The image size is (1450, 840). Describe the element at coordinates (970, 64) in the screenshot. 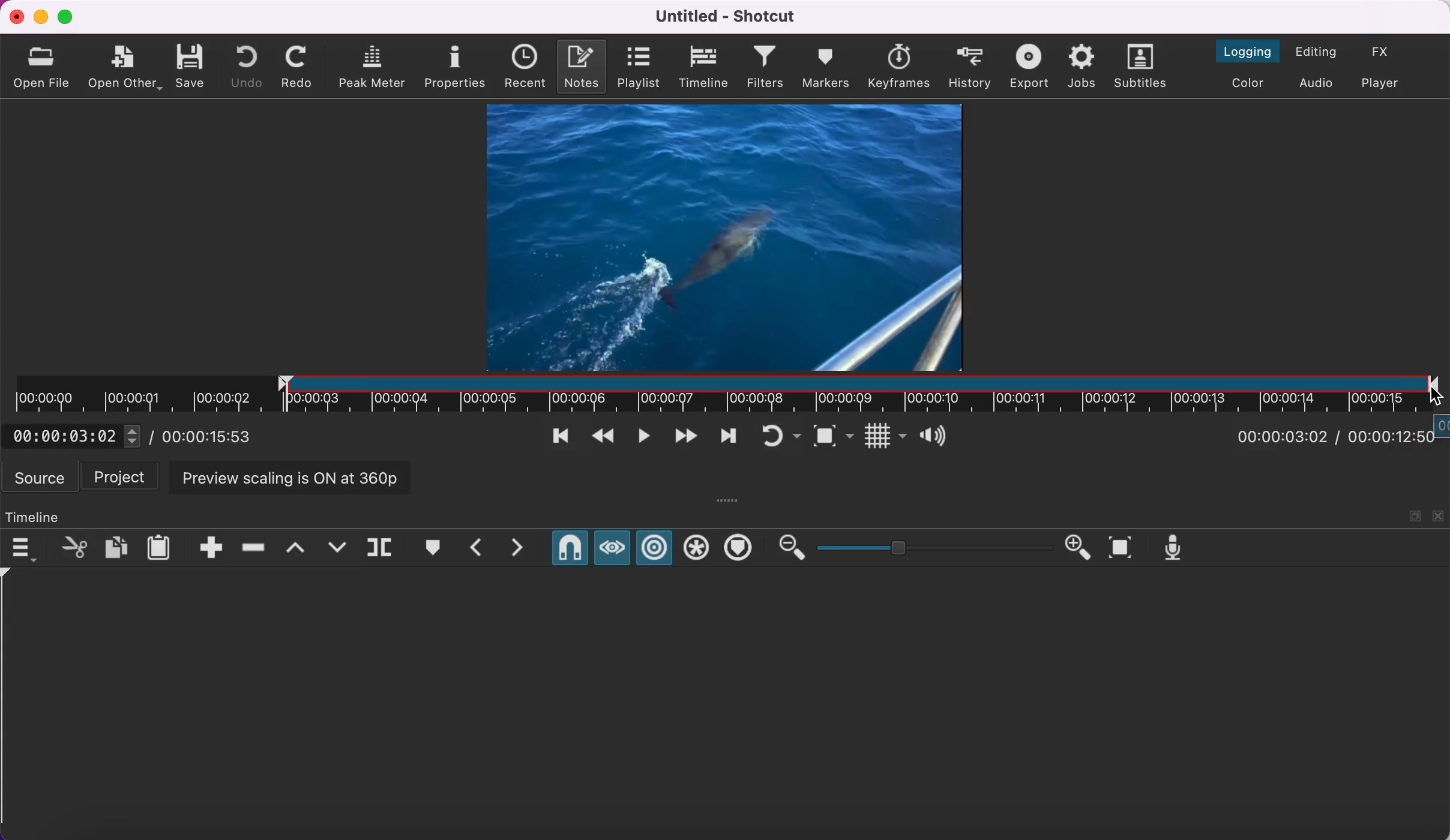

I see `history` at that location.